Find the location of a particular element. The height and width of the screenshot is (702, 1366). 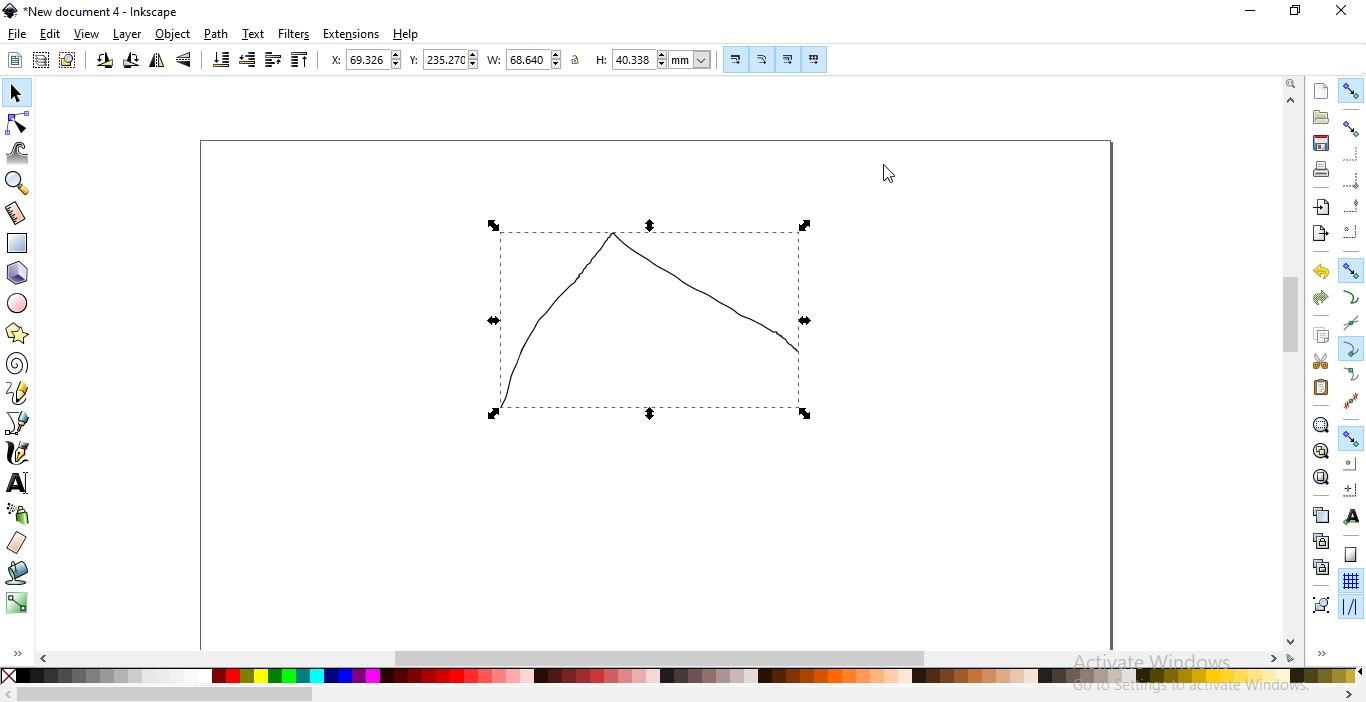

snap to grids is located at coordinates (1350, 580).